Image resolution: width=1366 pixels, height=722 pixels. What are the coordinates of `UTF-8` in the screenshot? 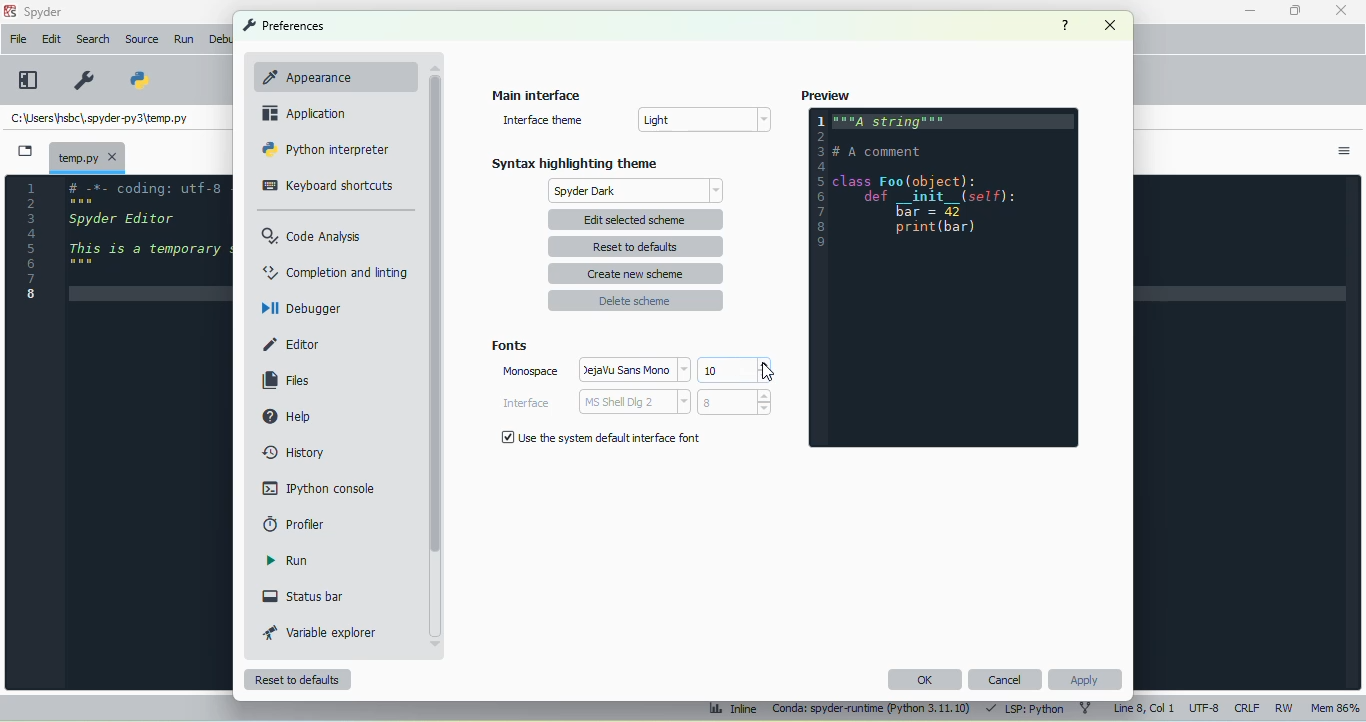 It's located at (1205, 707).